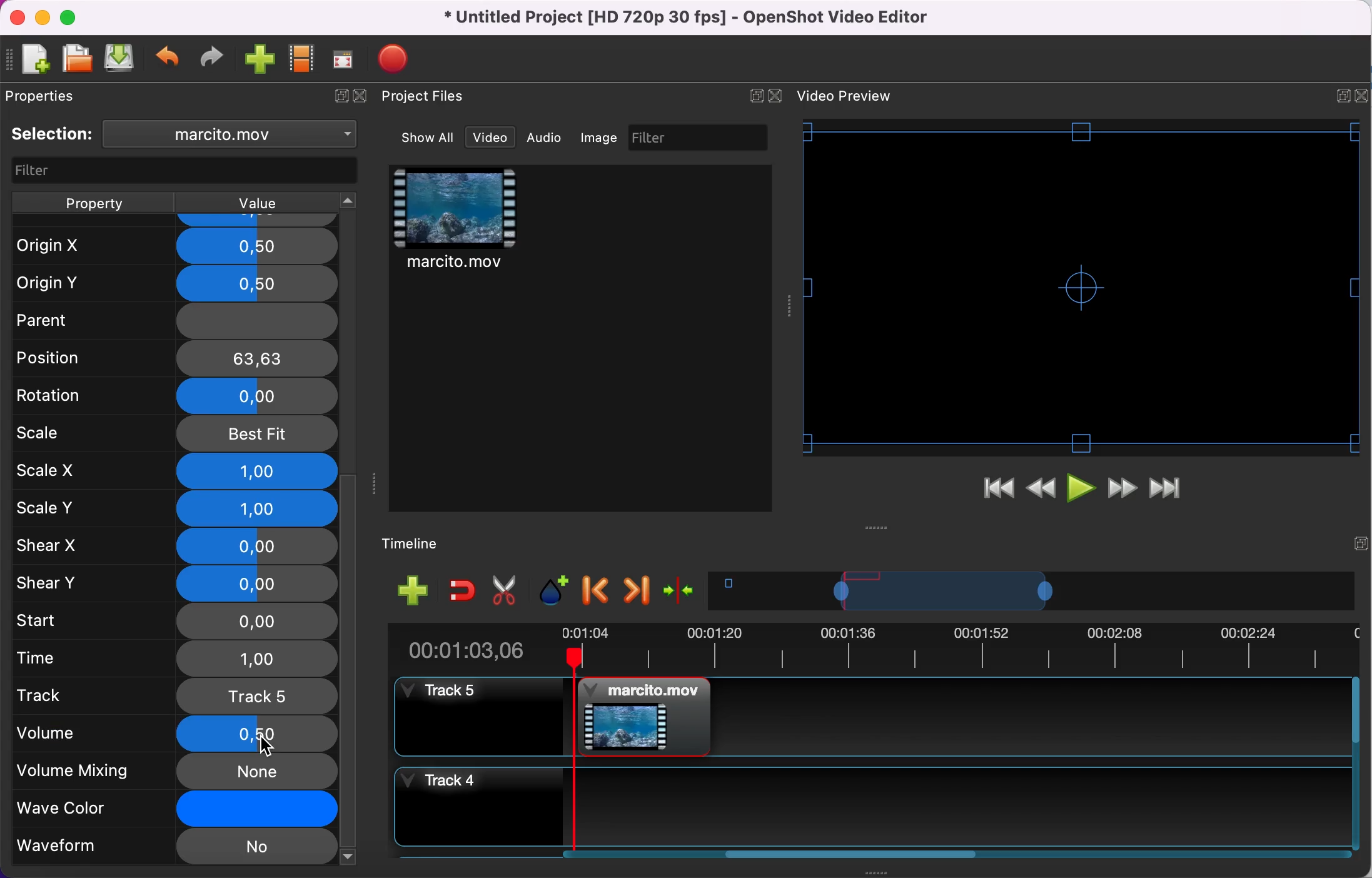 This screenshot has height=878, width=1372. Describe the element at coordinates (255, 203) in the screenshot. I see `value` at that location.